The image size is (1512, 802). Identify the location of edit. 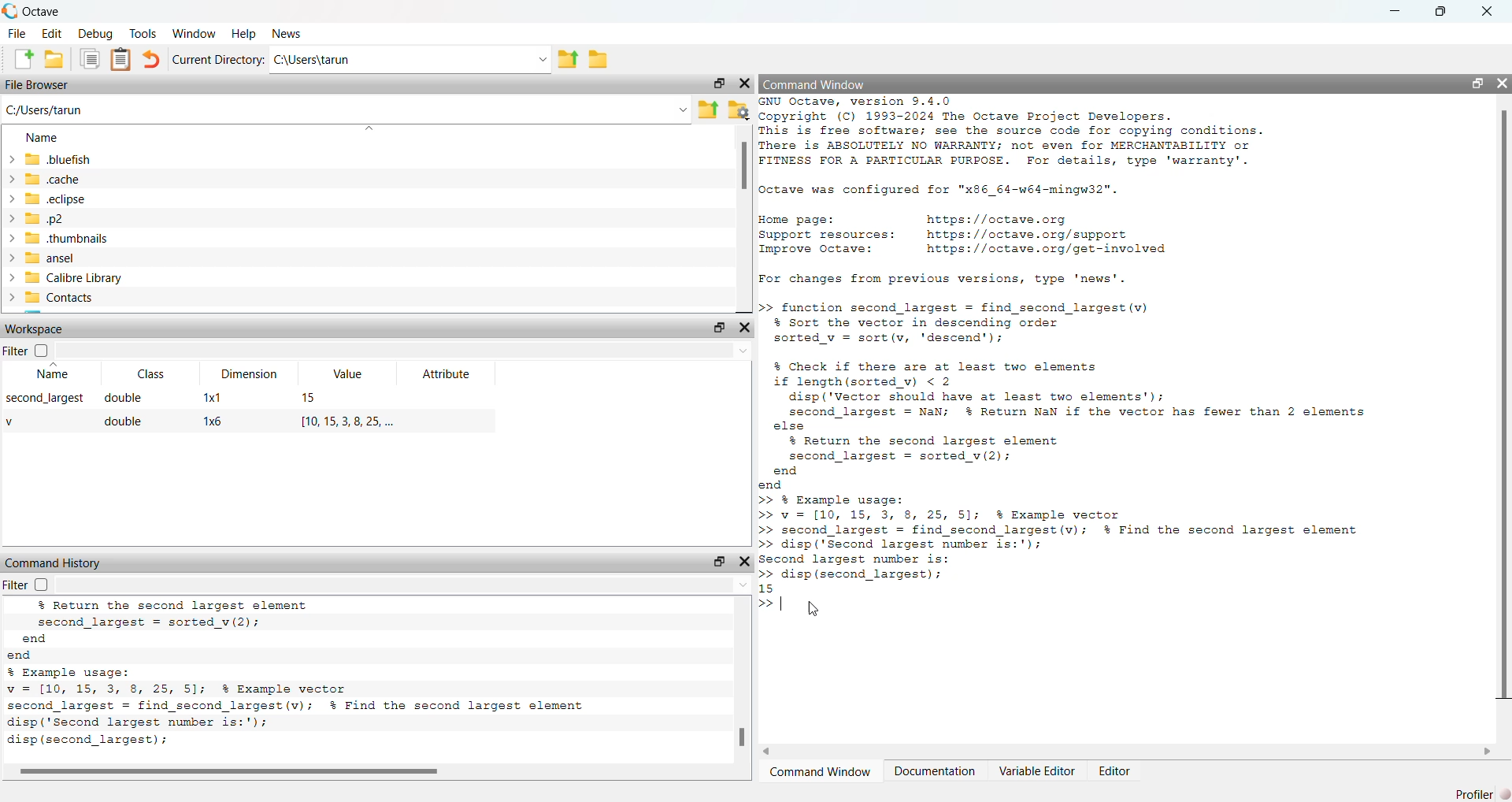
(50, 35).